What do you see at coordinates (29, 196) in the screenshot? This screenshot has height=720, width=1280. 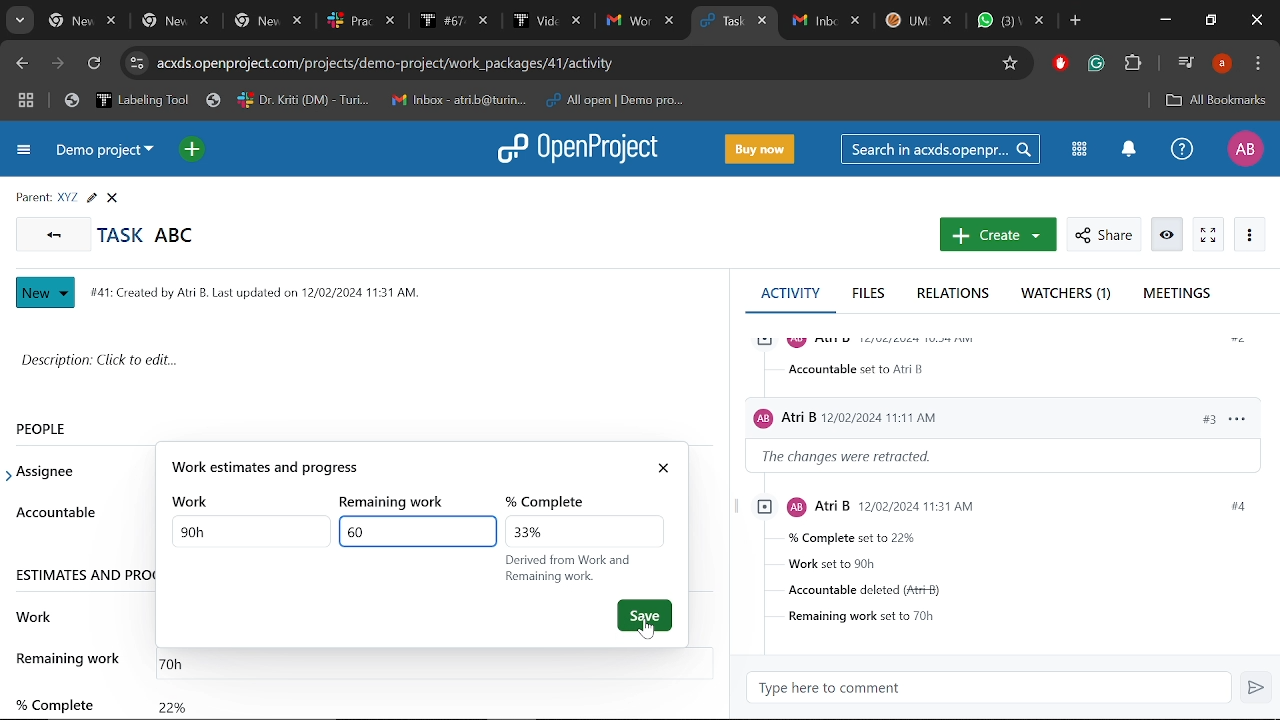 I see `parent` at bounding box center [29, 196].